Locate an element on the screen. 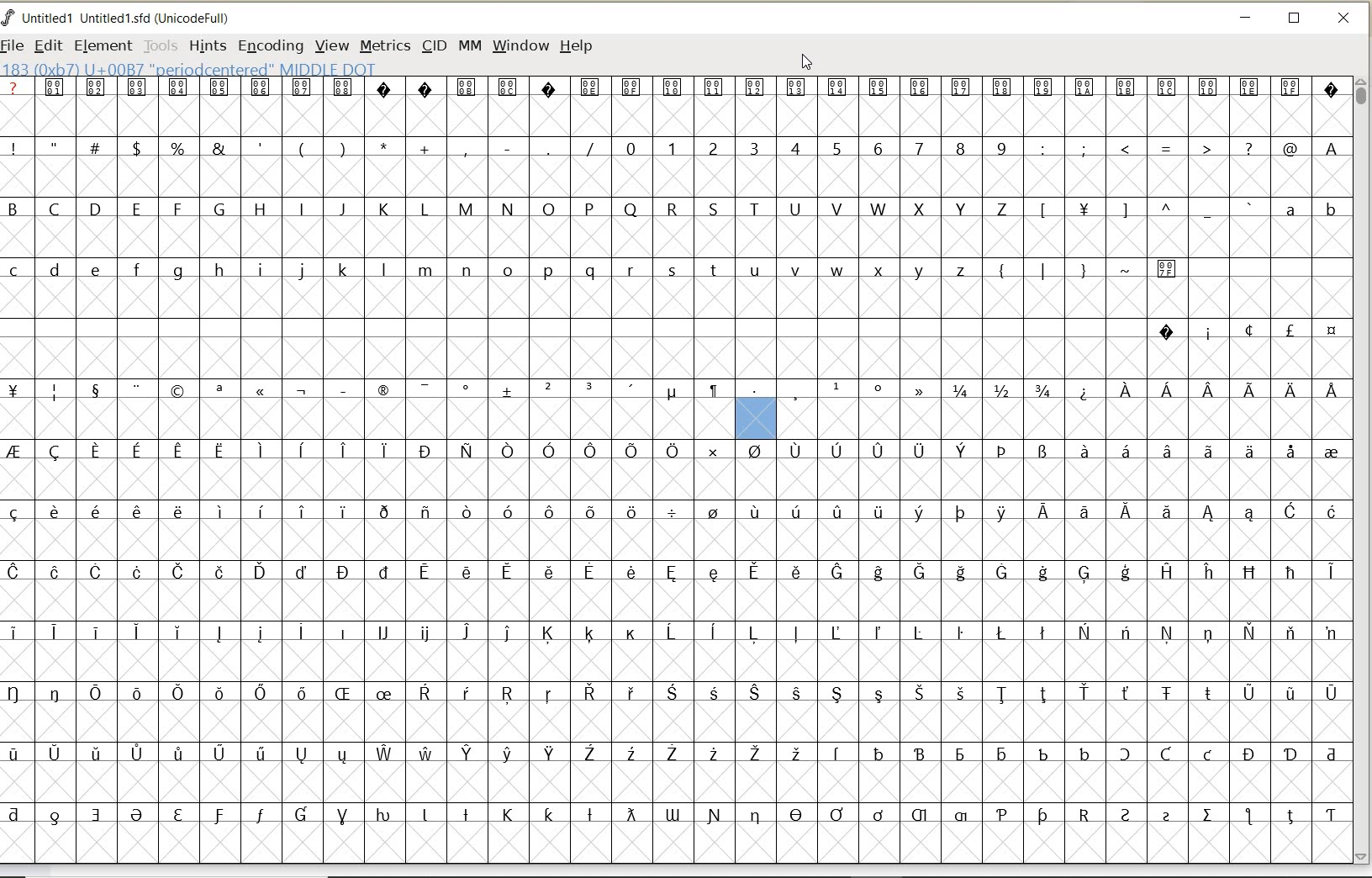 This screenshot has width=1372, height=878. glyph info is located at coordinates (319, 69).